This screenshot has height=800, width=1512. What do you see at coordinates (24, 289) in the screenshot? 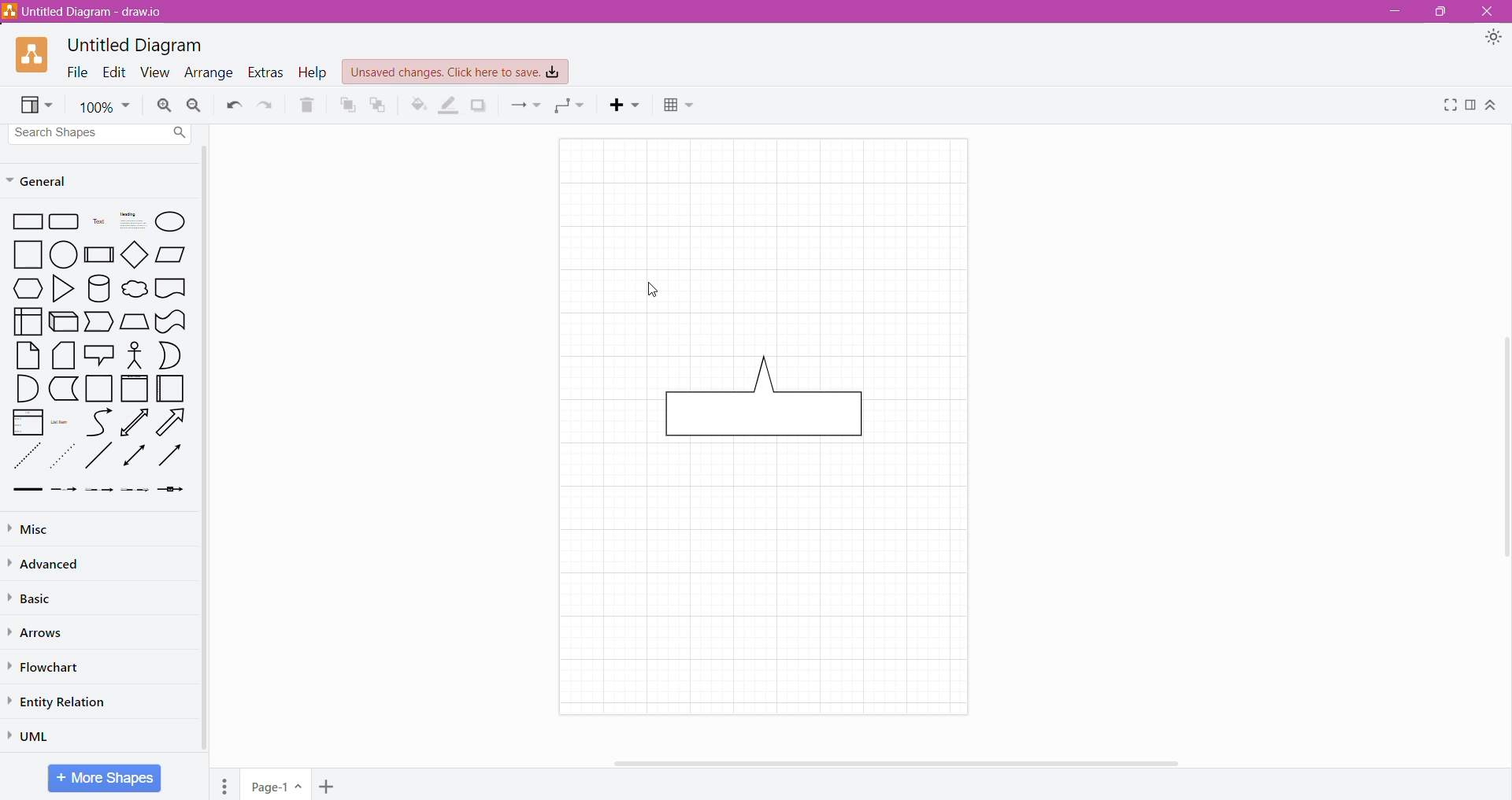
I see `preparation` at bounding box center [24, 289].